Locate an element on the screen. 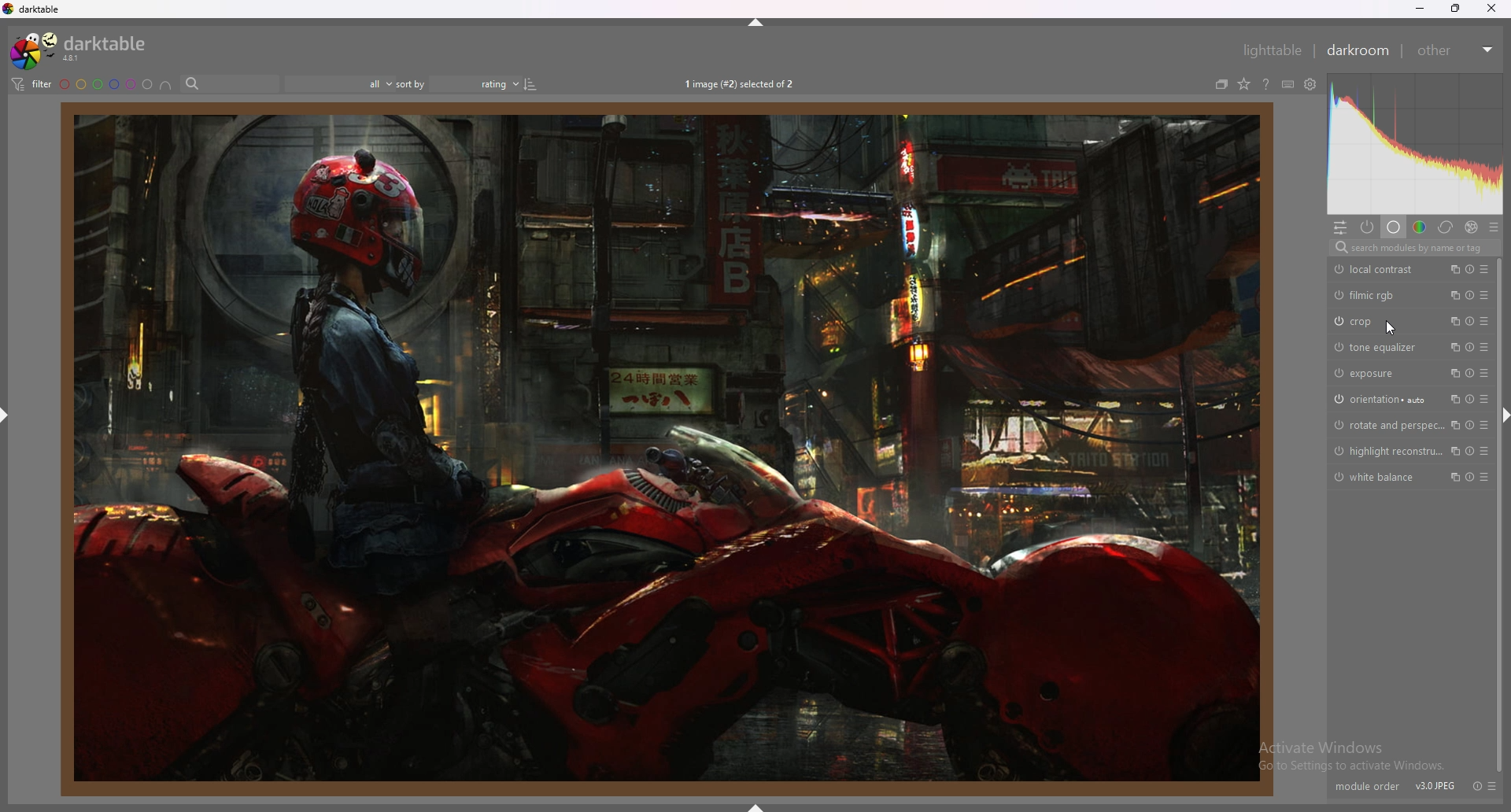 The image size is (1511, 812). filmic rgb is located at coordinates (1379, 295).